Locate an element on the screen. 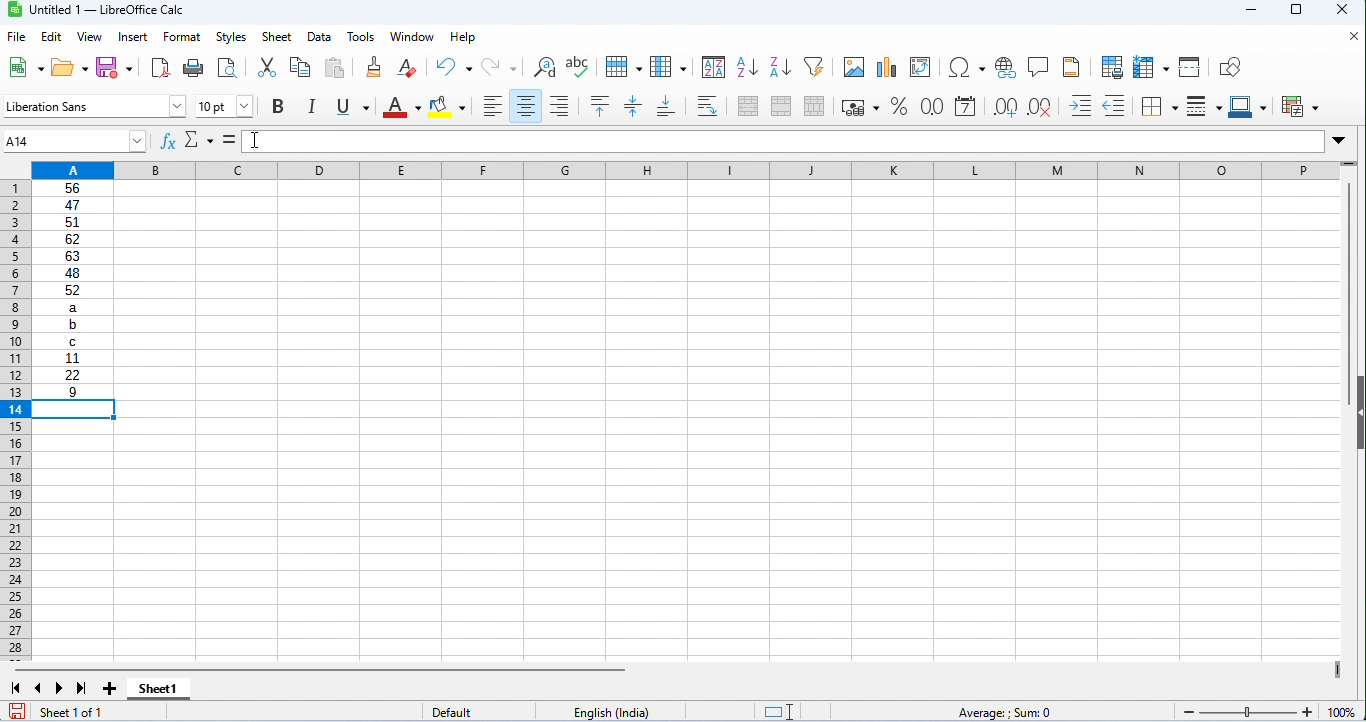 The width and height of the screenshot is (1366, 722). Vertical slide bar is located at coordinates (1350, 294).